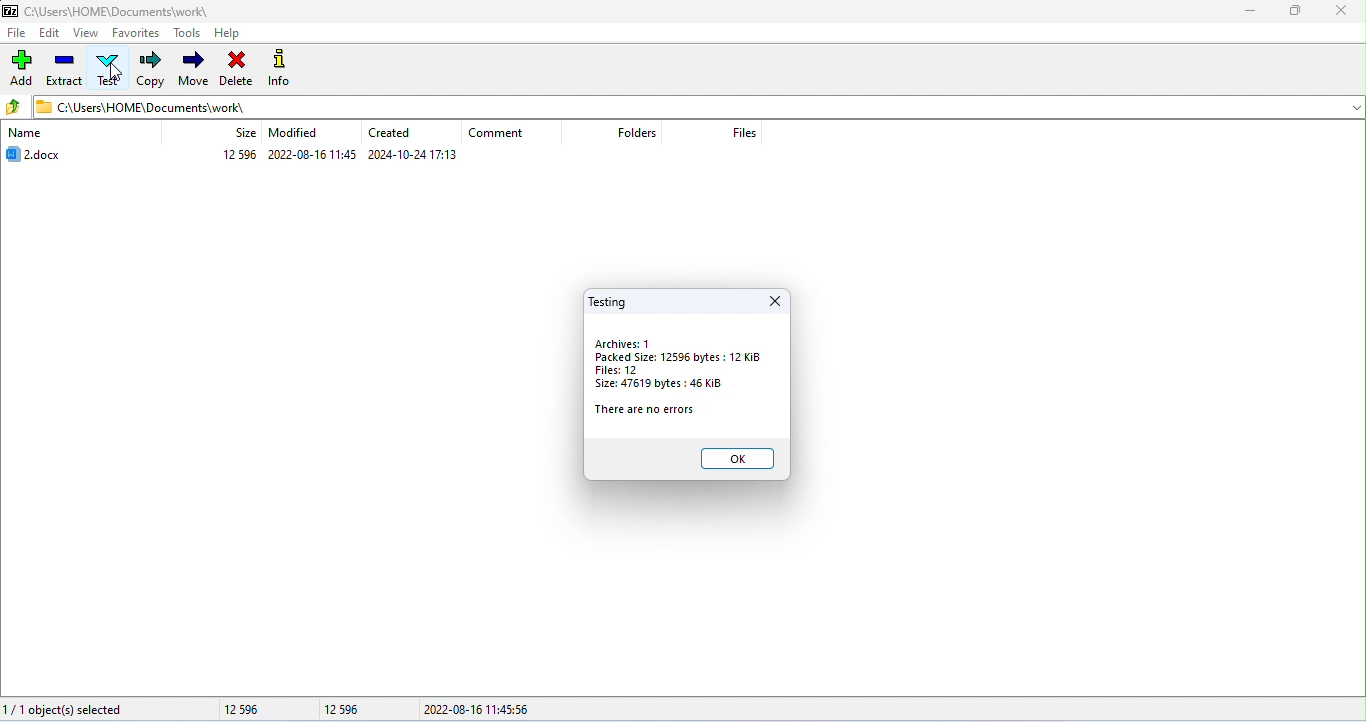 The image size is (1366, 722). I want to click on 2022-08-16 11:45, so click(312, 155).